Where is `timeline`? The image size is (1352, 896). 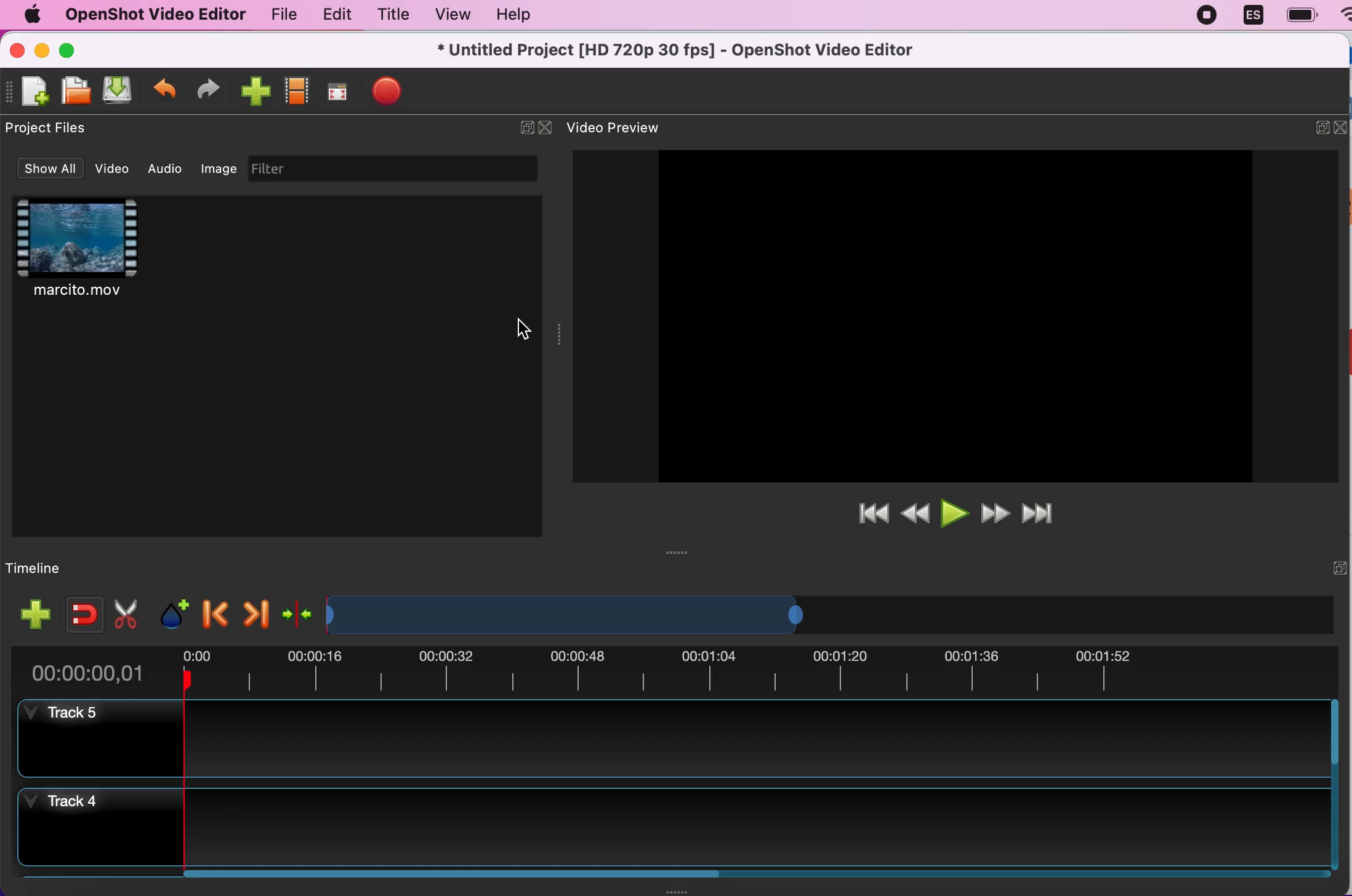
timeline is located at coordinates (774, 614).